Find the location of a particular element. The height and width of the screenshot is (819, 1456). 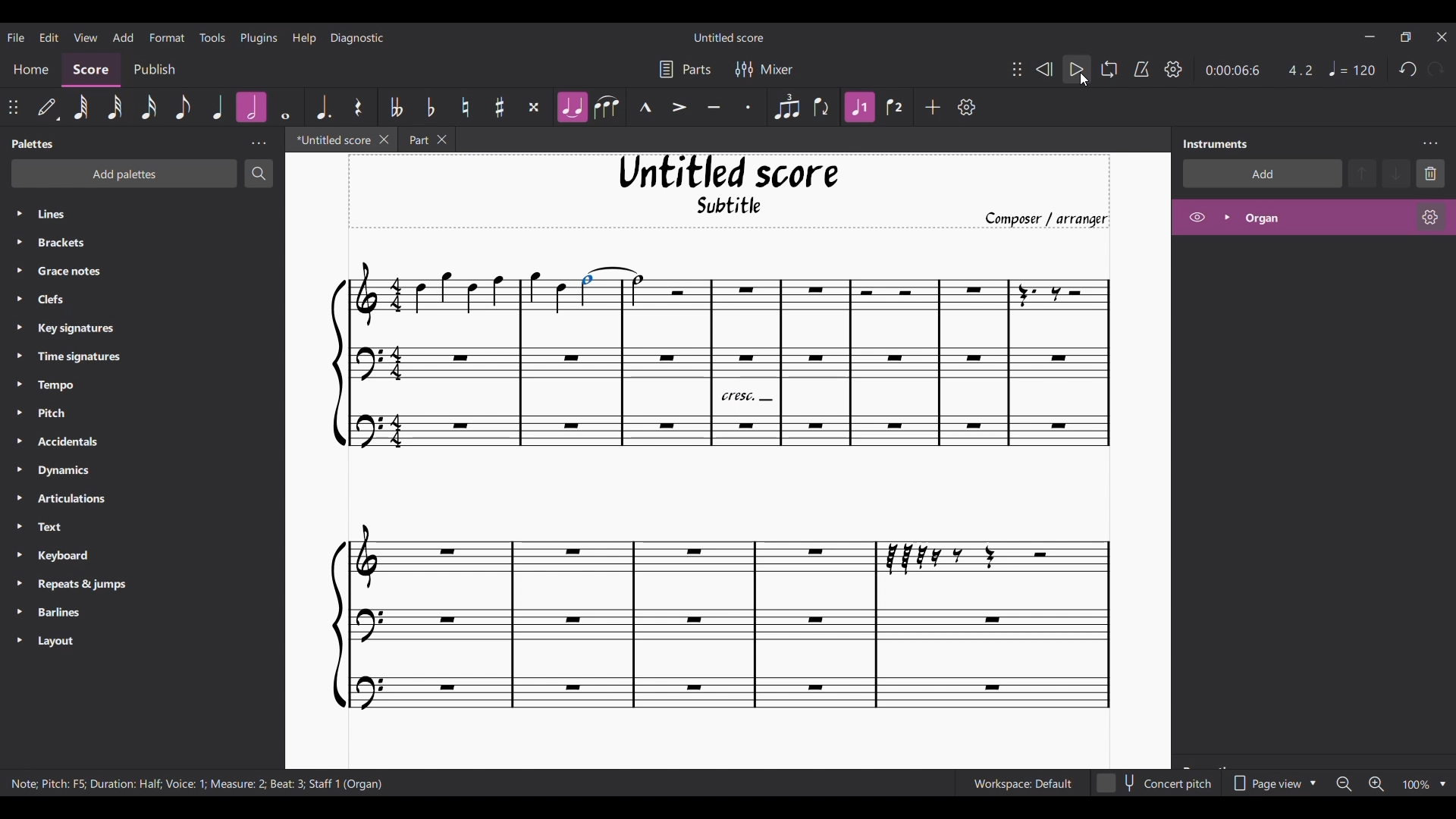

Zoom options is located at coordinates (1443, 785).